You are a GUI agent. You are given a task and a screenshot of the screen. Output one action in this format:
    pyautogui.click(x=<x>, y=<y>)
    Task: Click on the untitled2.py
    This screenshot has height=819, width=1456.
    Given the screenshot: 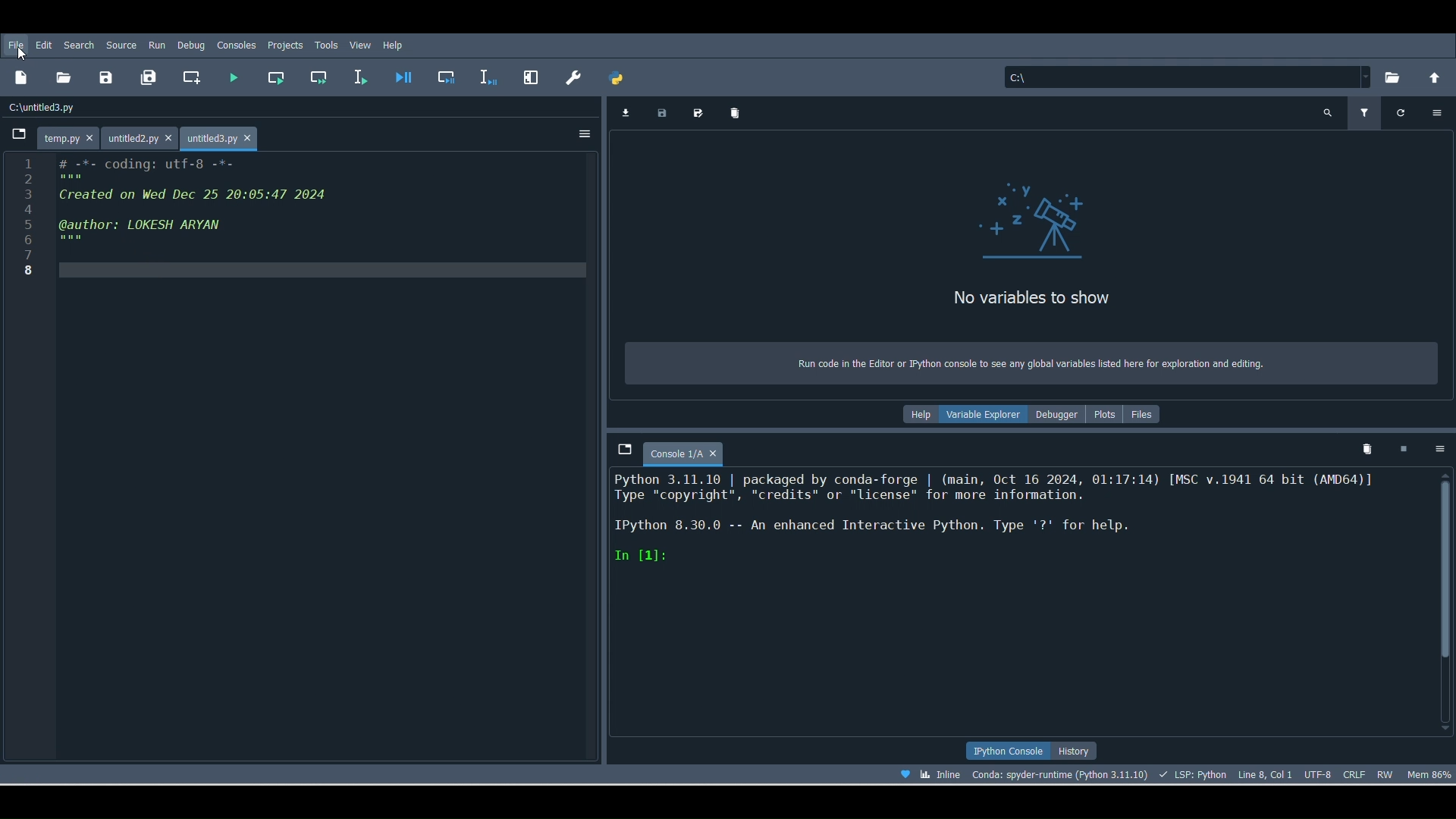 What is the action you would take?
    pyautogui.click(x=140, y=136)
    